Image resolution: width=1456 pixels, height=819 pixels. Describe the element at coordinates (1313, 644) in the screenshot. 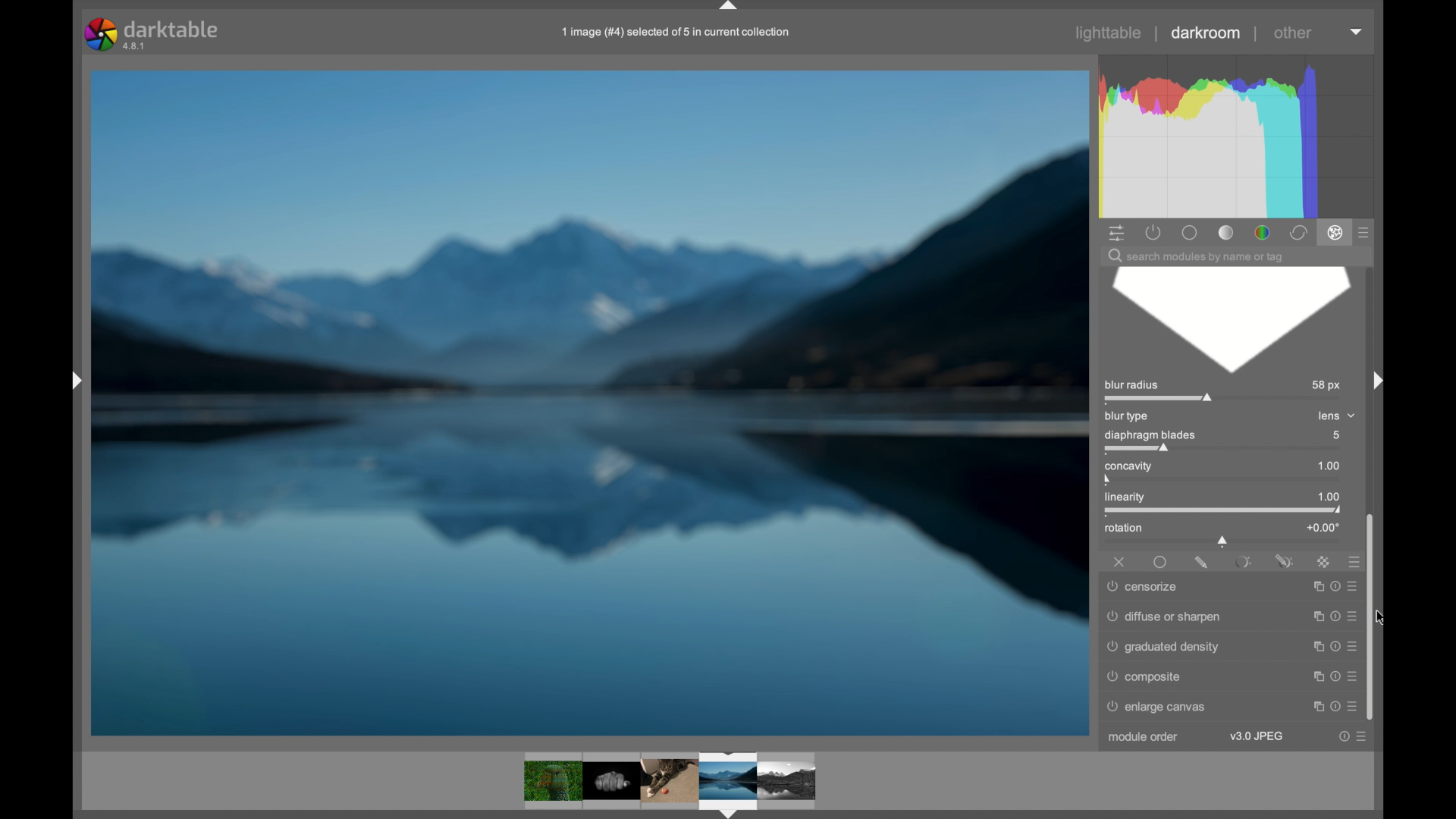

I see `maximize` at that location.